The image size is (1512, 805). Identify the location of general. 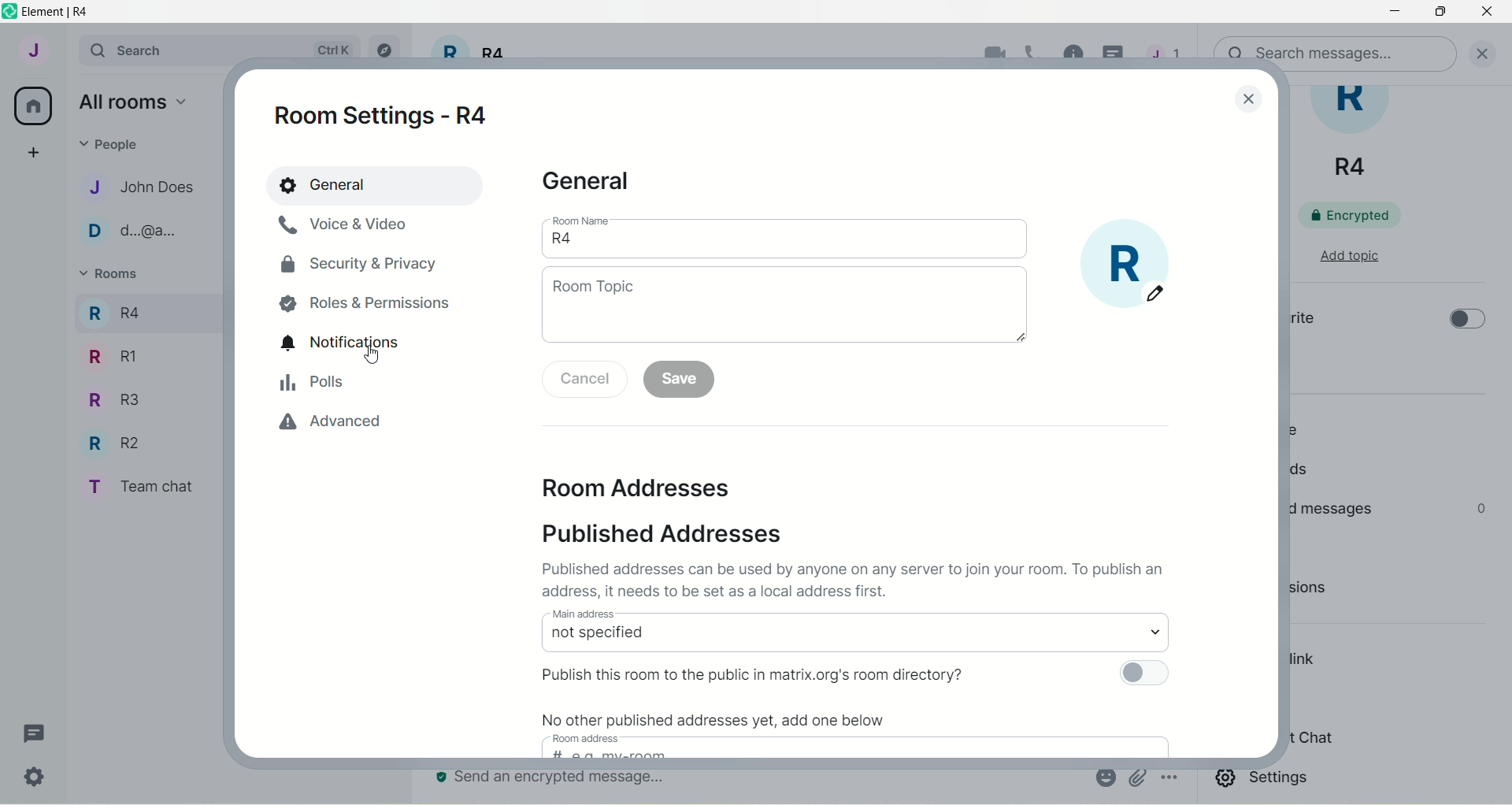
(343, 184).